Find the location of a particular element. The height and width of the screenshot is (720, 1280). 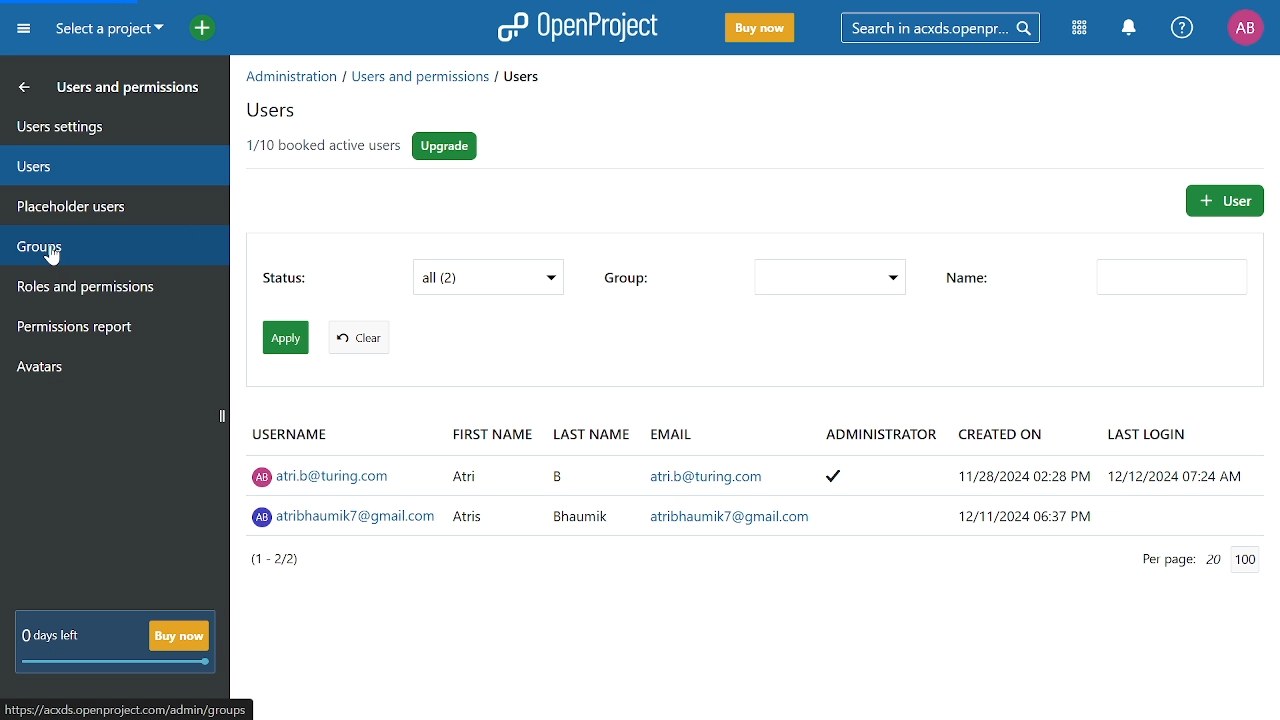

administrator is located at coordinates (880, 435).